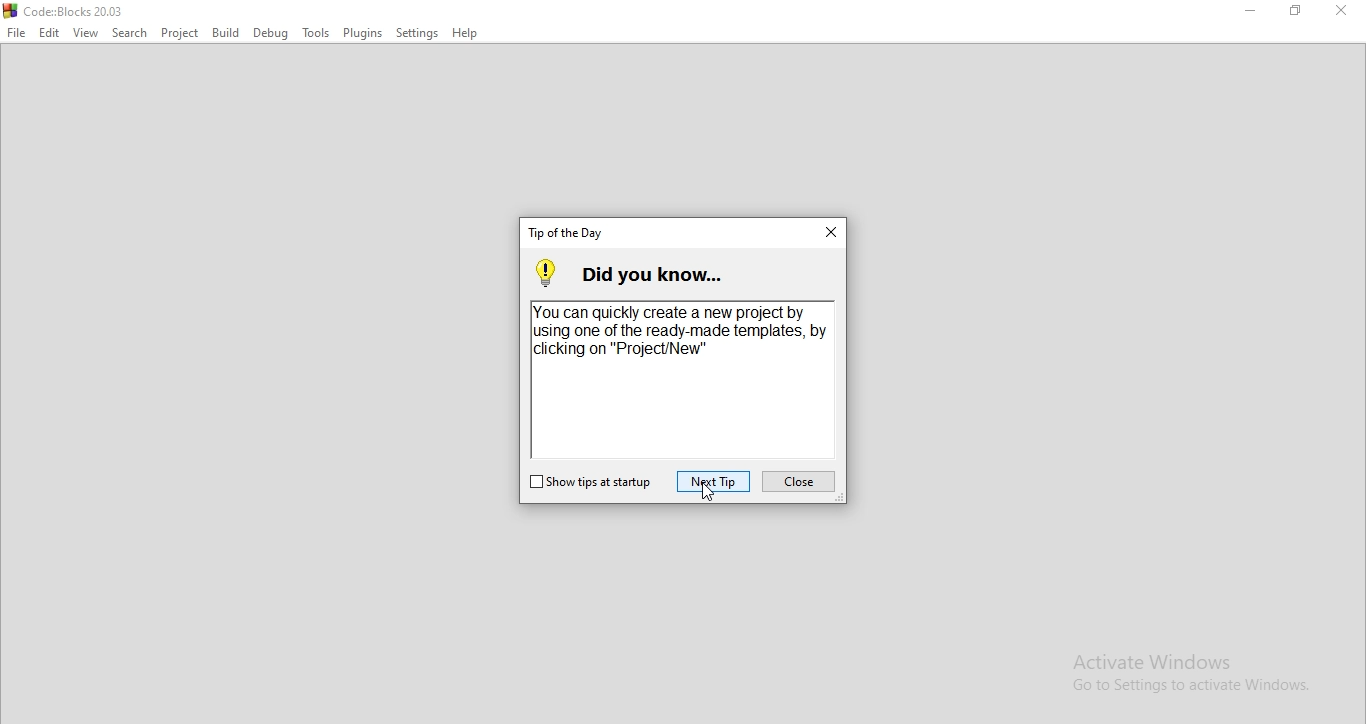 Image resolution: width=1366 pixels, height=724 pixels. Describe the element at coordinates (316, 31) in the screenshot. I see `Tools ` at that location.